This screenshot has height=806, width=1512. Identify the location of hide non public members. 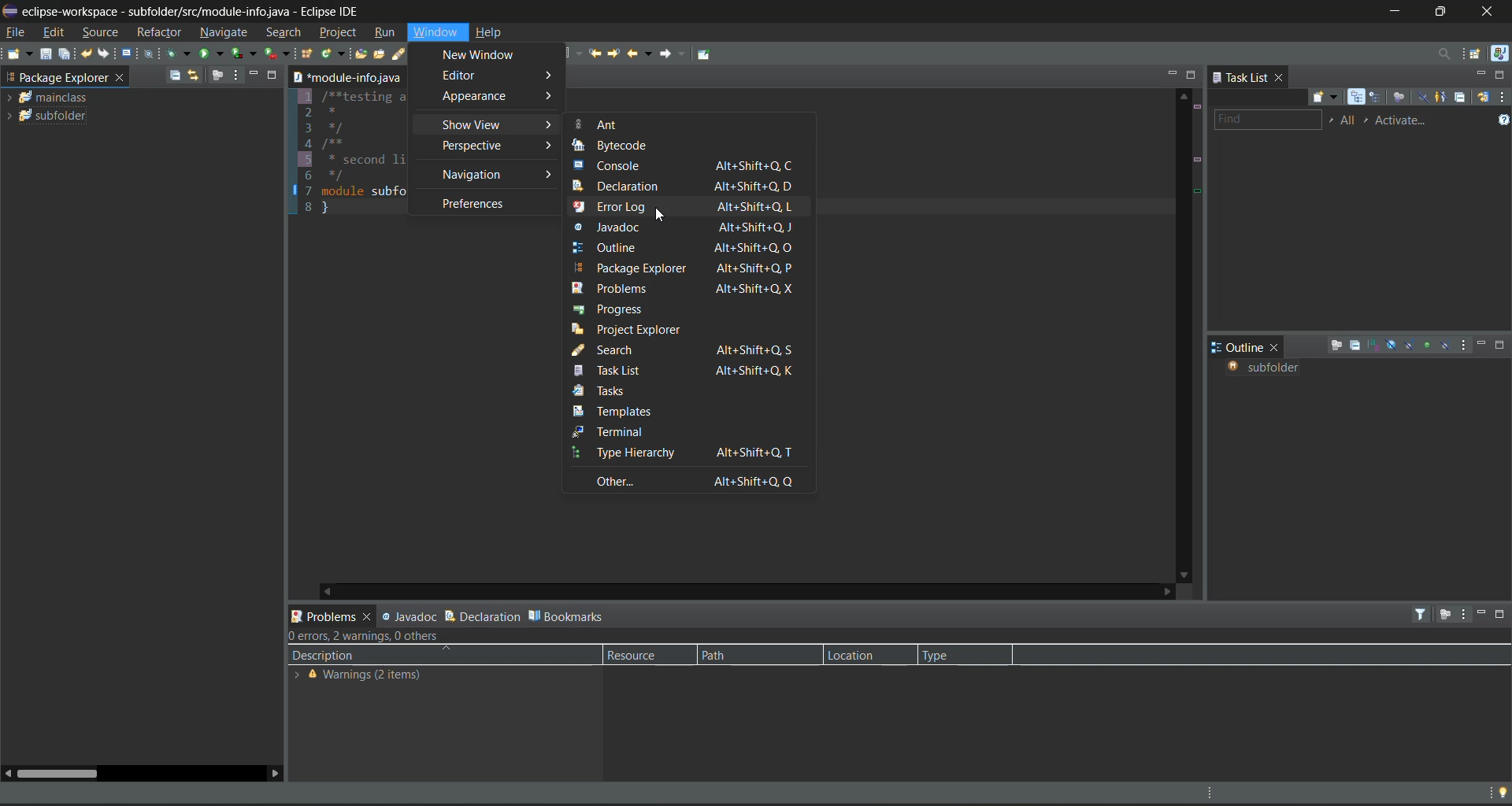
(1427, 344).